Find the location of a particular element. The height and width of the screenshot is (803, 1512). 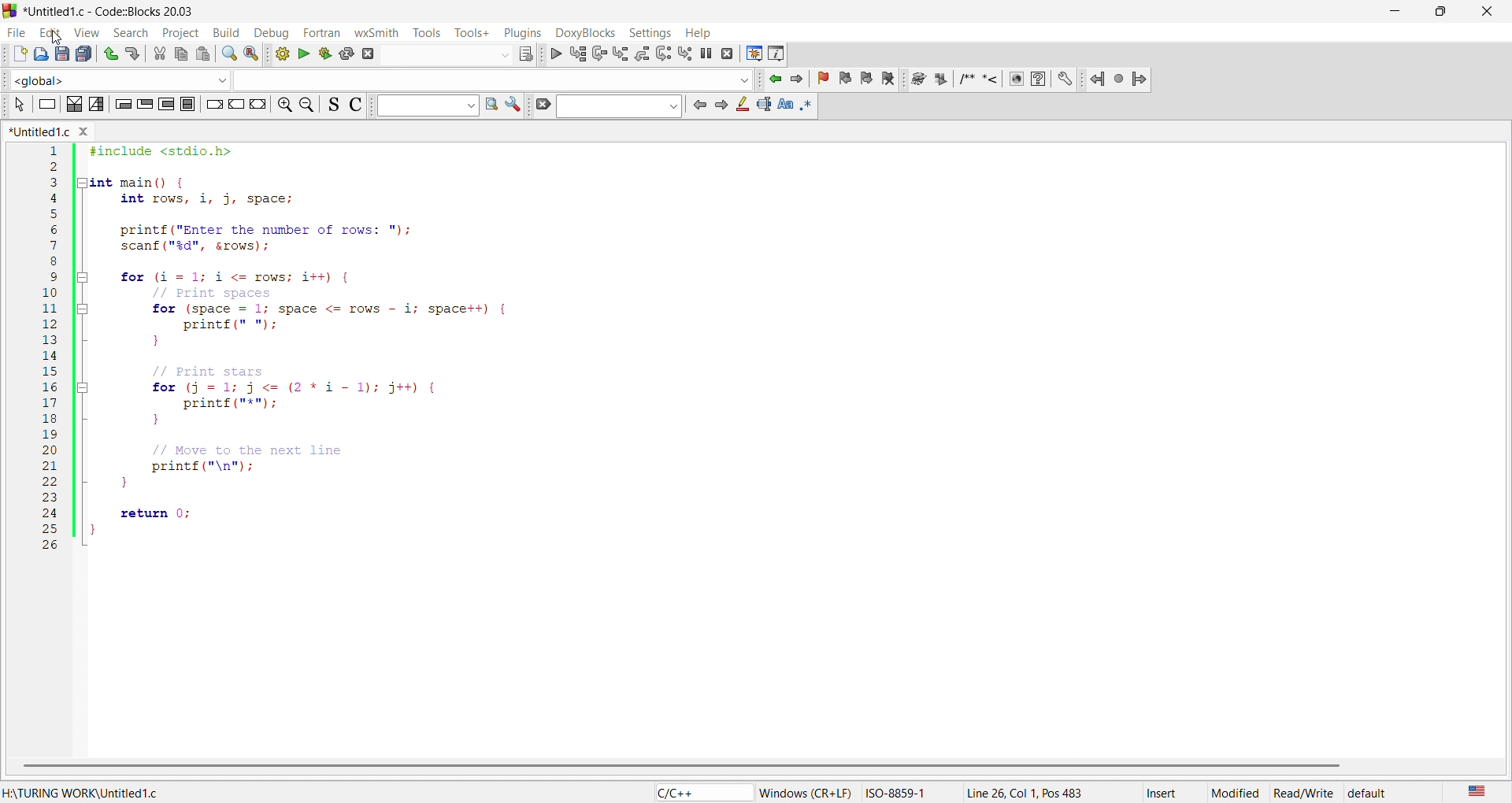

icon is located at coordinates (165, 107).